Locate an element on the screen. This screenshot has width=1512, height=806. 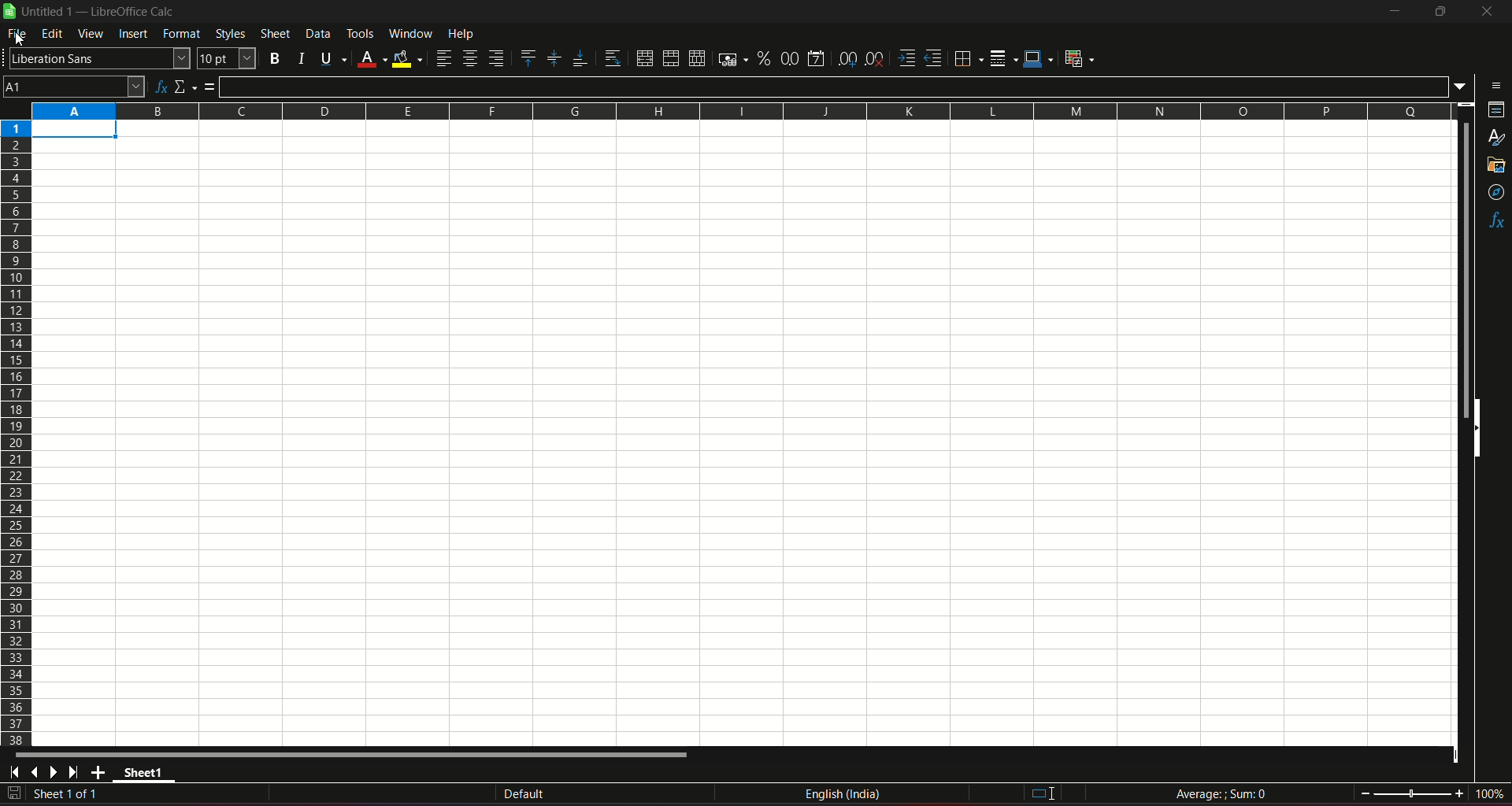
columns is located at coordinates (743, 111).